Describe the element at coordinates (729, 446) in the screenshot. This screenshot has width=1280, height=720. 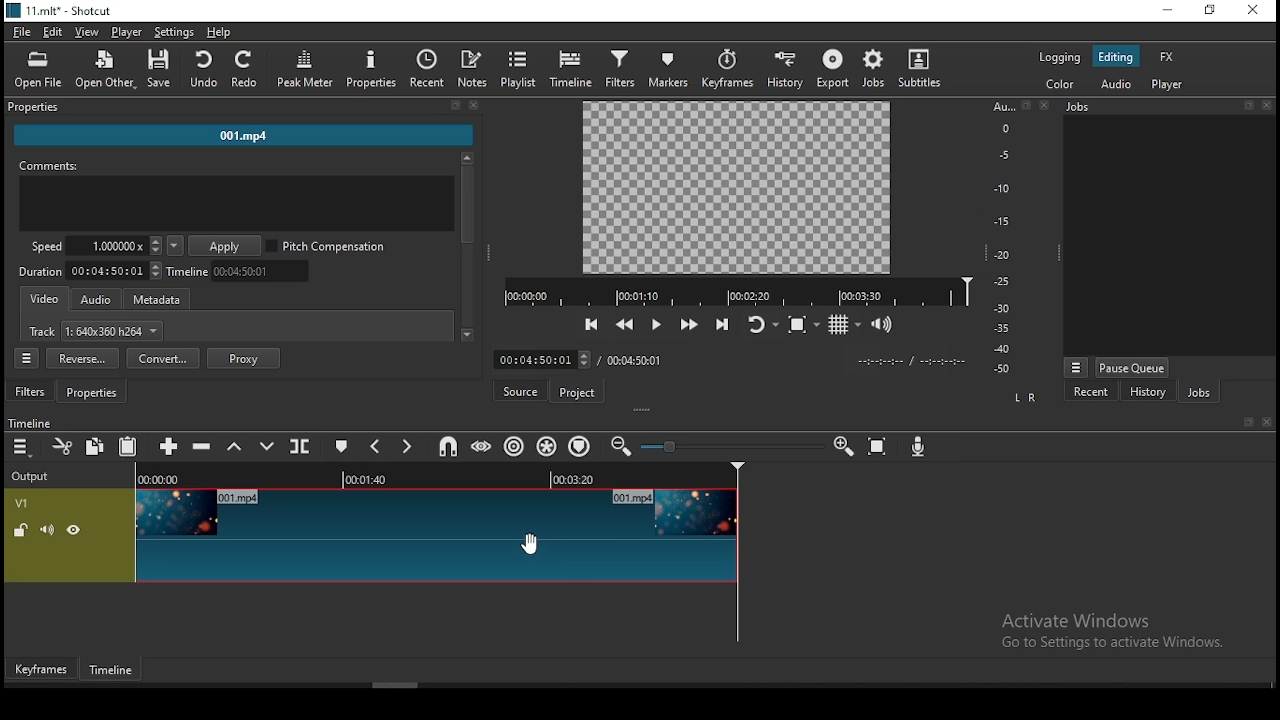
I see `zoom bar` at that location.